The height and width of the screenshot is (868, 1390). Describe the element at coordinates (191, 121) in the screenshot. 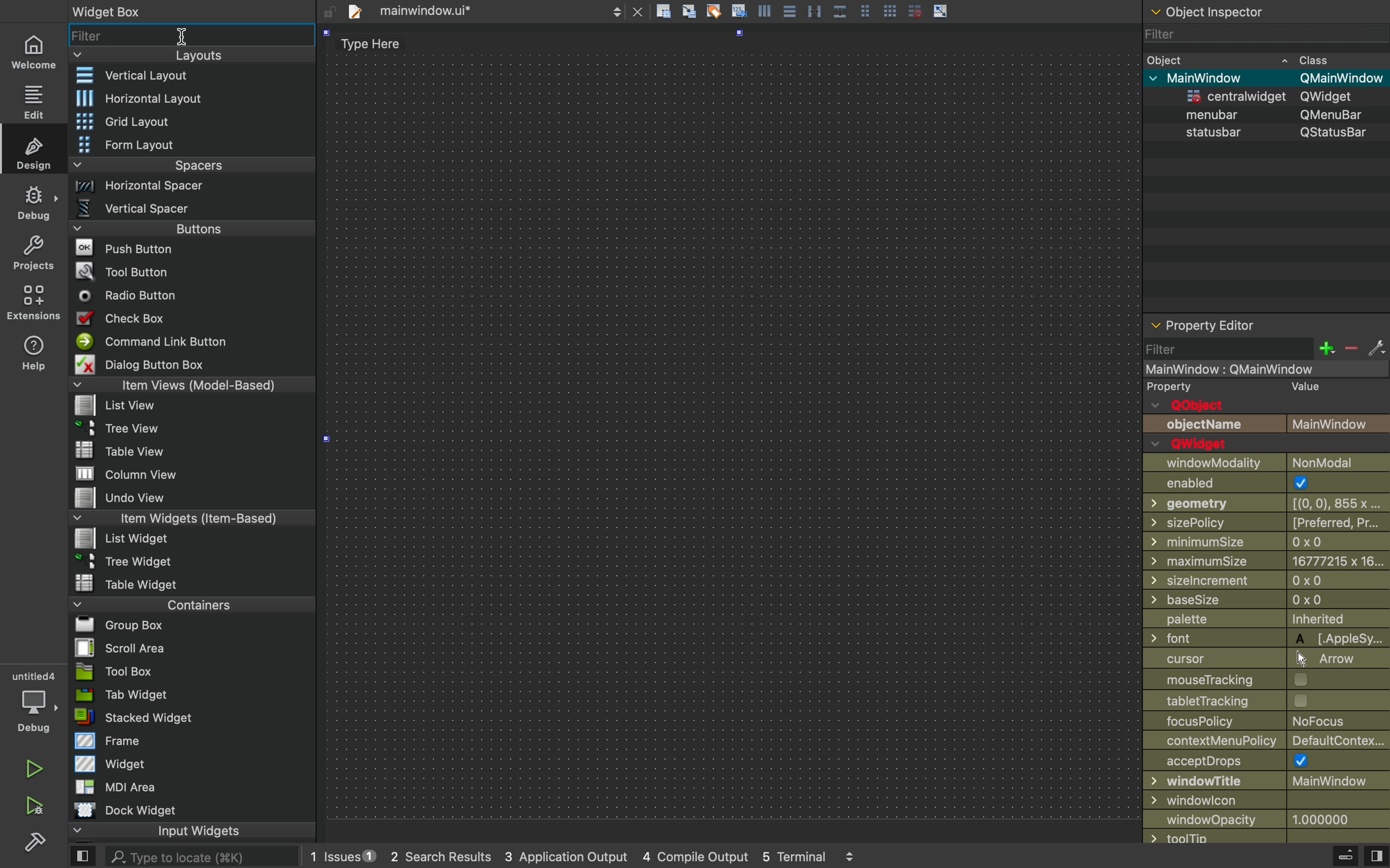

I see `grid layout` at that location.